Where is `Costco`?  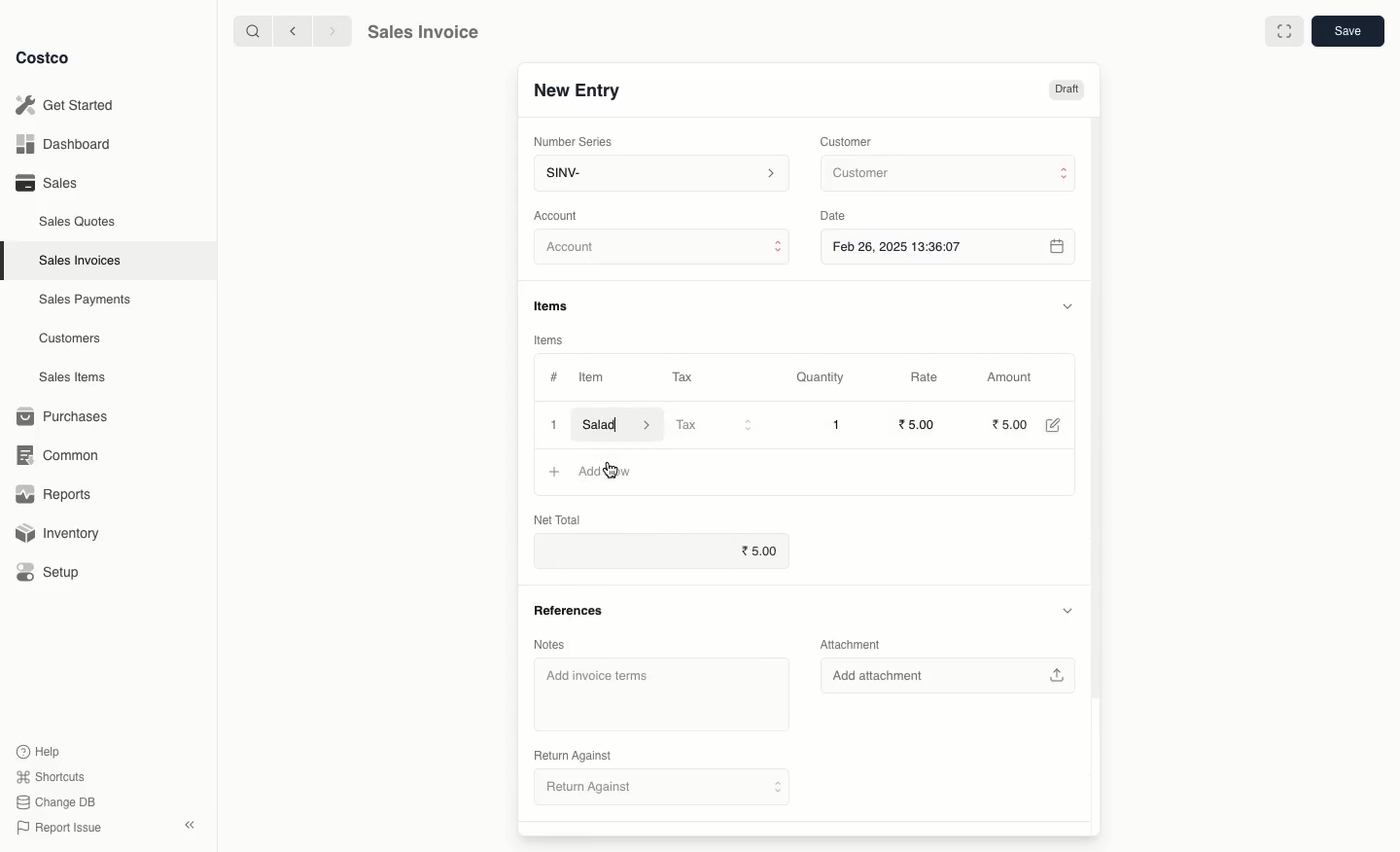 Costco is located at coordinates (48, 58).